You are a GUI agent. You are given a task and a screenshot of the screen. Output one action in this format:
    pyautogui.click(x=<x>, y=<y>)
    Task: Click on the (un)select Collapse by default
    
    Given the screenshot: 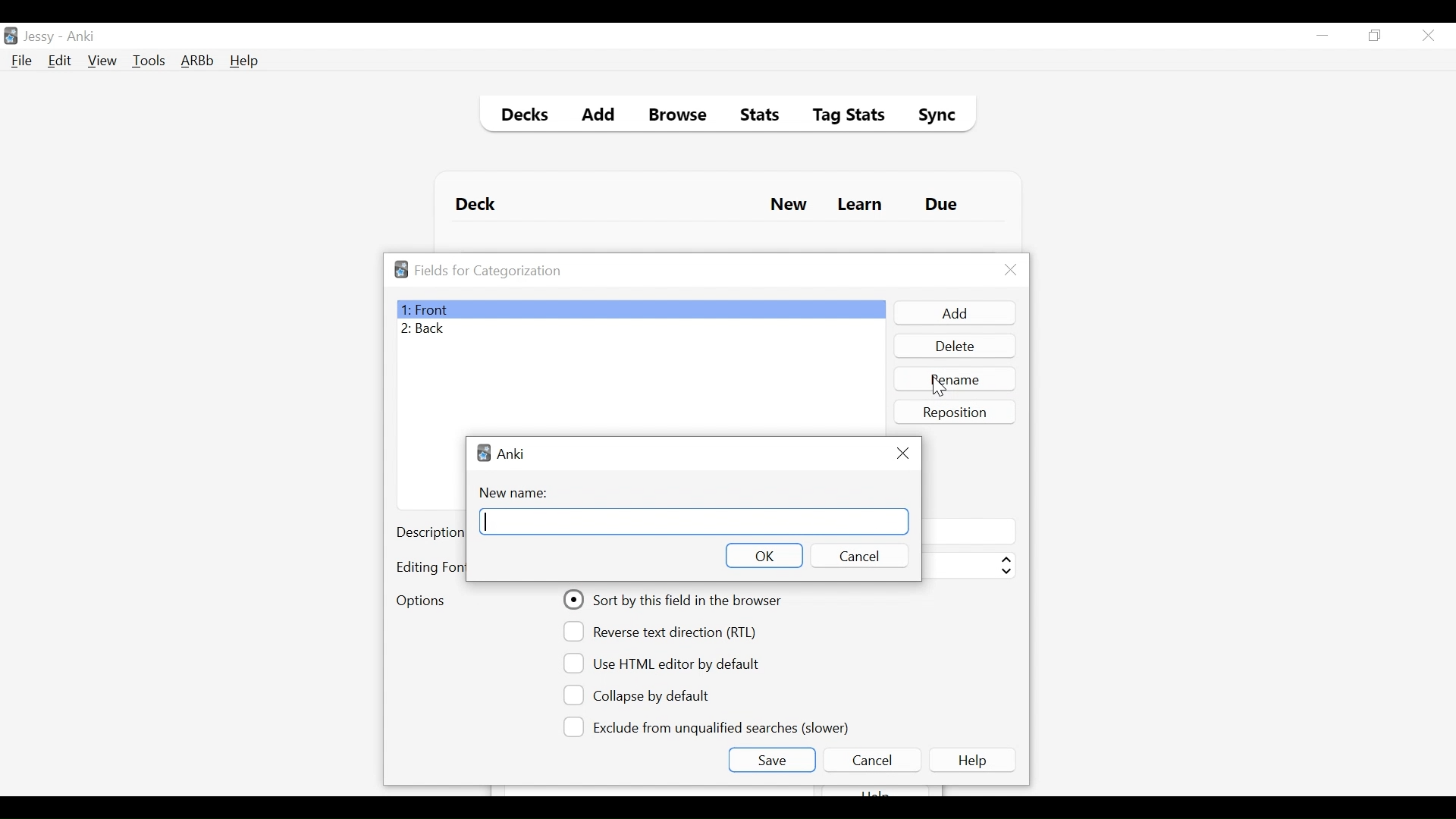 What is the action you would take?
    pyautogui.click(x=648, y=695)
    